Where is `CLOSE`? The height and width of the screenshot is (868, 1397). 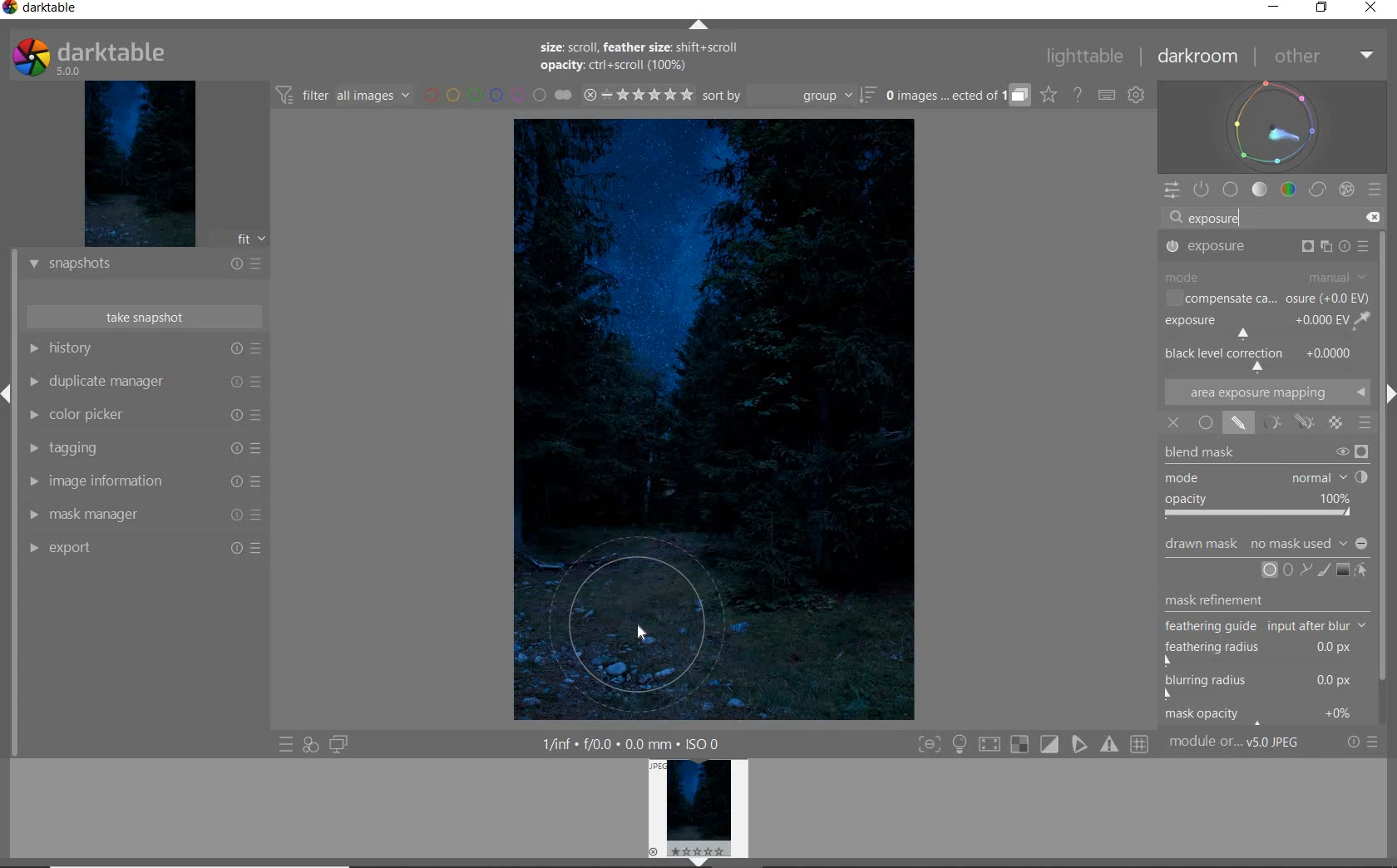 CLOSE is located at coordinates (1370, 10).